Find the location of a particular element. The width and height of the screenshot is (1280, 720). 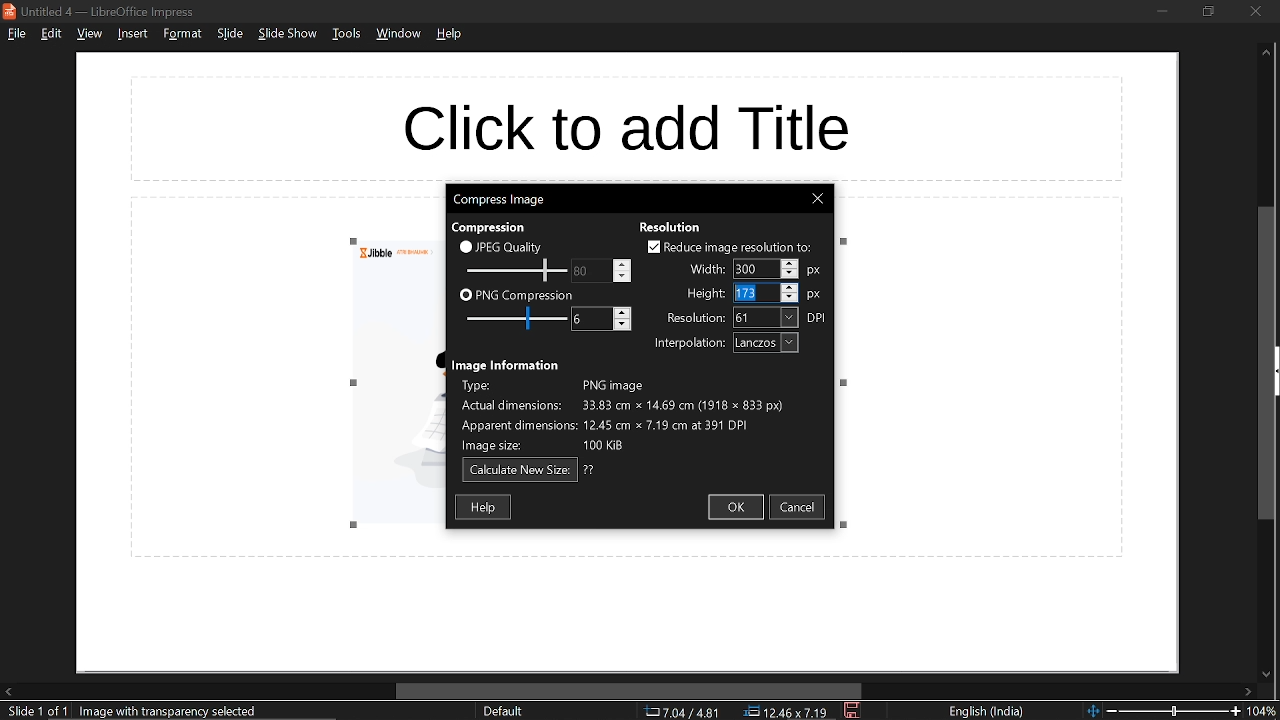

change zoom is located at coordinates (1162, 712).